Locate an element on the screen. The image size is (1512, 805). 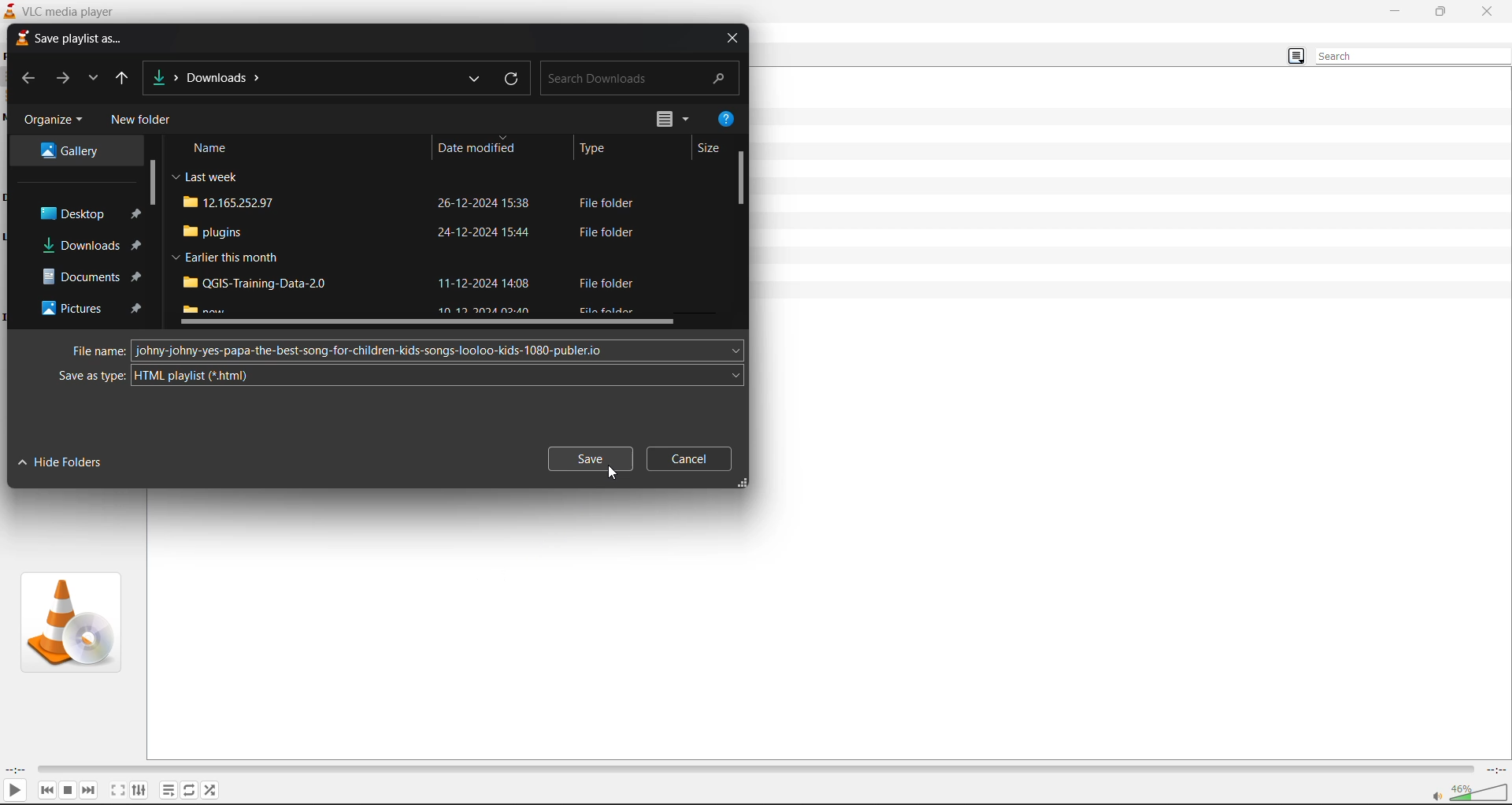
documents is located at coordinates (87, 276).